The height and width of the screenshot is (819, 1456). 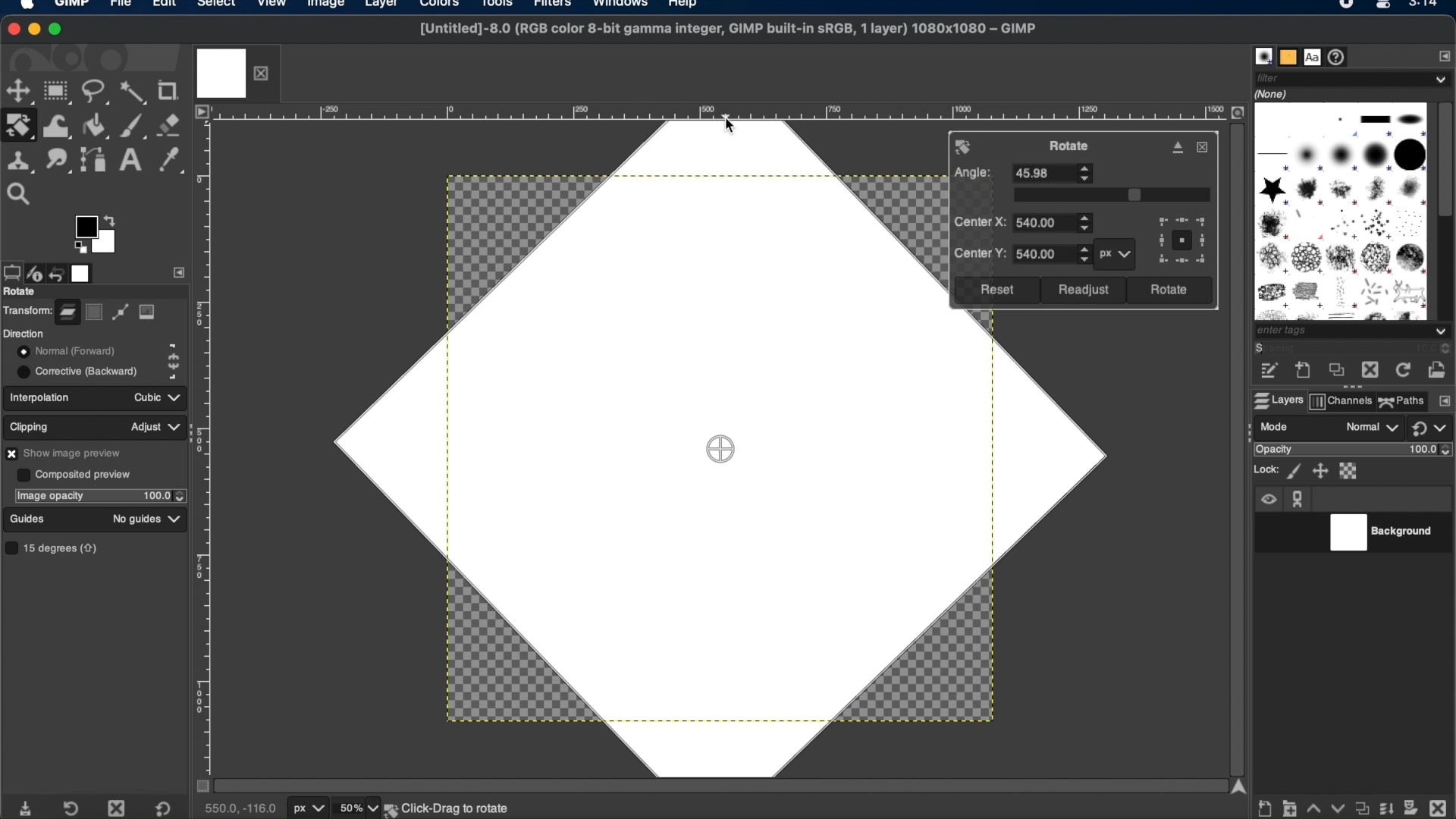 I want to click on tags dropdown, so click(x=1354, y=332).